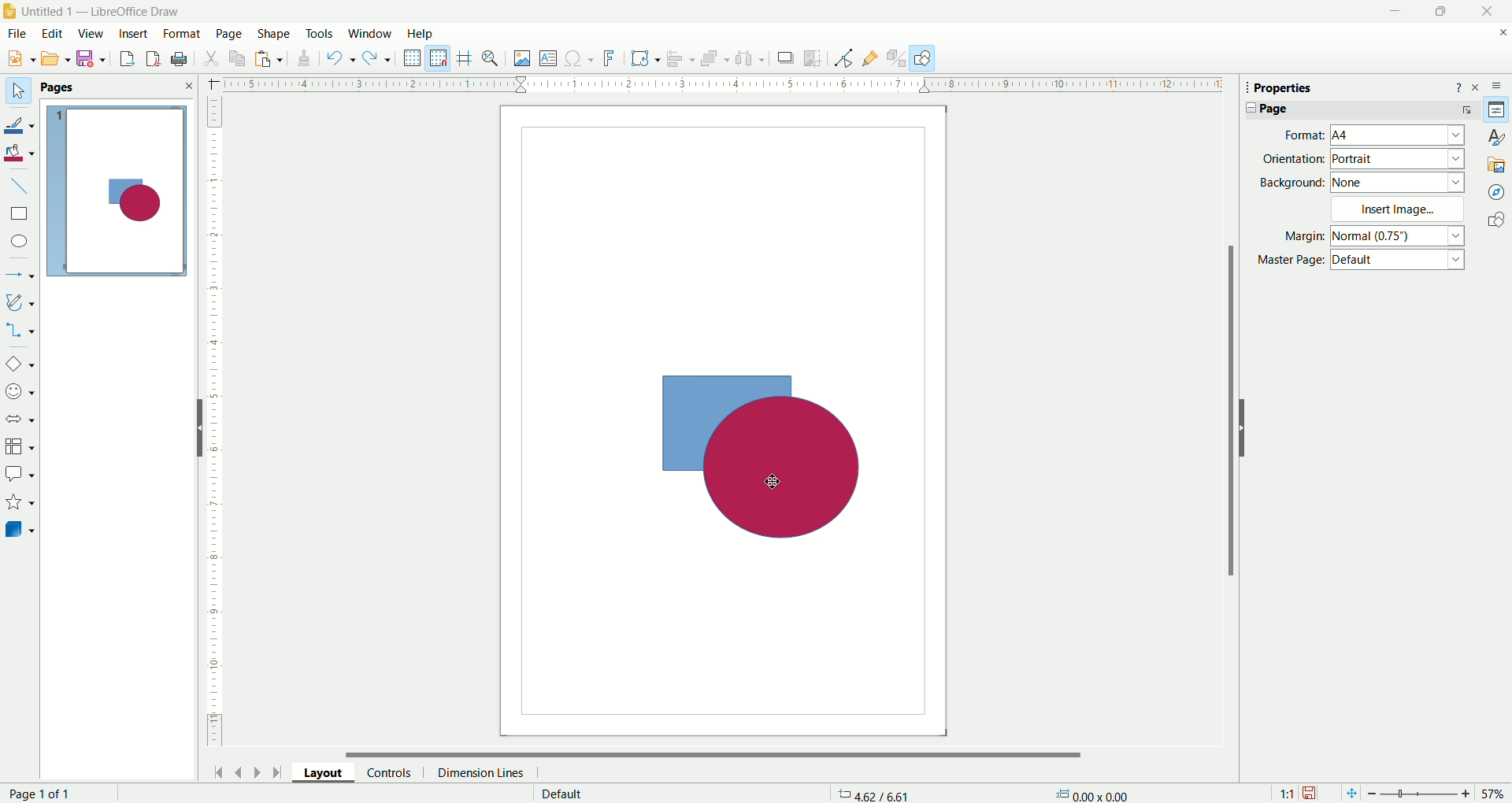  What do you see at coordinates (372, 32) in the screenshot?
I see `window` at bounding box center [372, 32].